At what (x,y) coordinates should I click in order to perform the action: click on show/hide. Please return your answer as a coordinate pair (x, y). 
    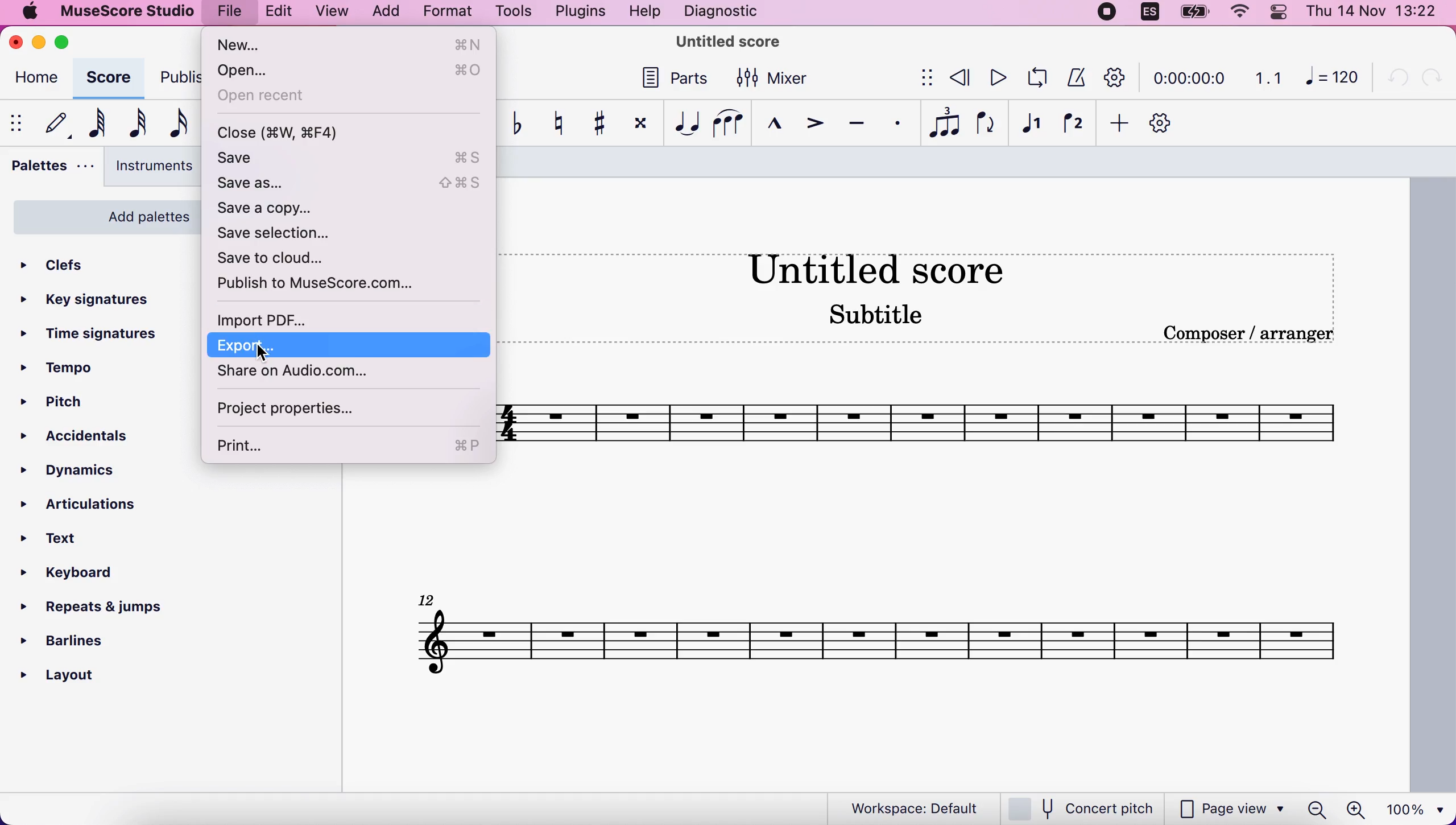
    Looking at the image, I should click on (15, 122).